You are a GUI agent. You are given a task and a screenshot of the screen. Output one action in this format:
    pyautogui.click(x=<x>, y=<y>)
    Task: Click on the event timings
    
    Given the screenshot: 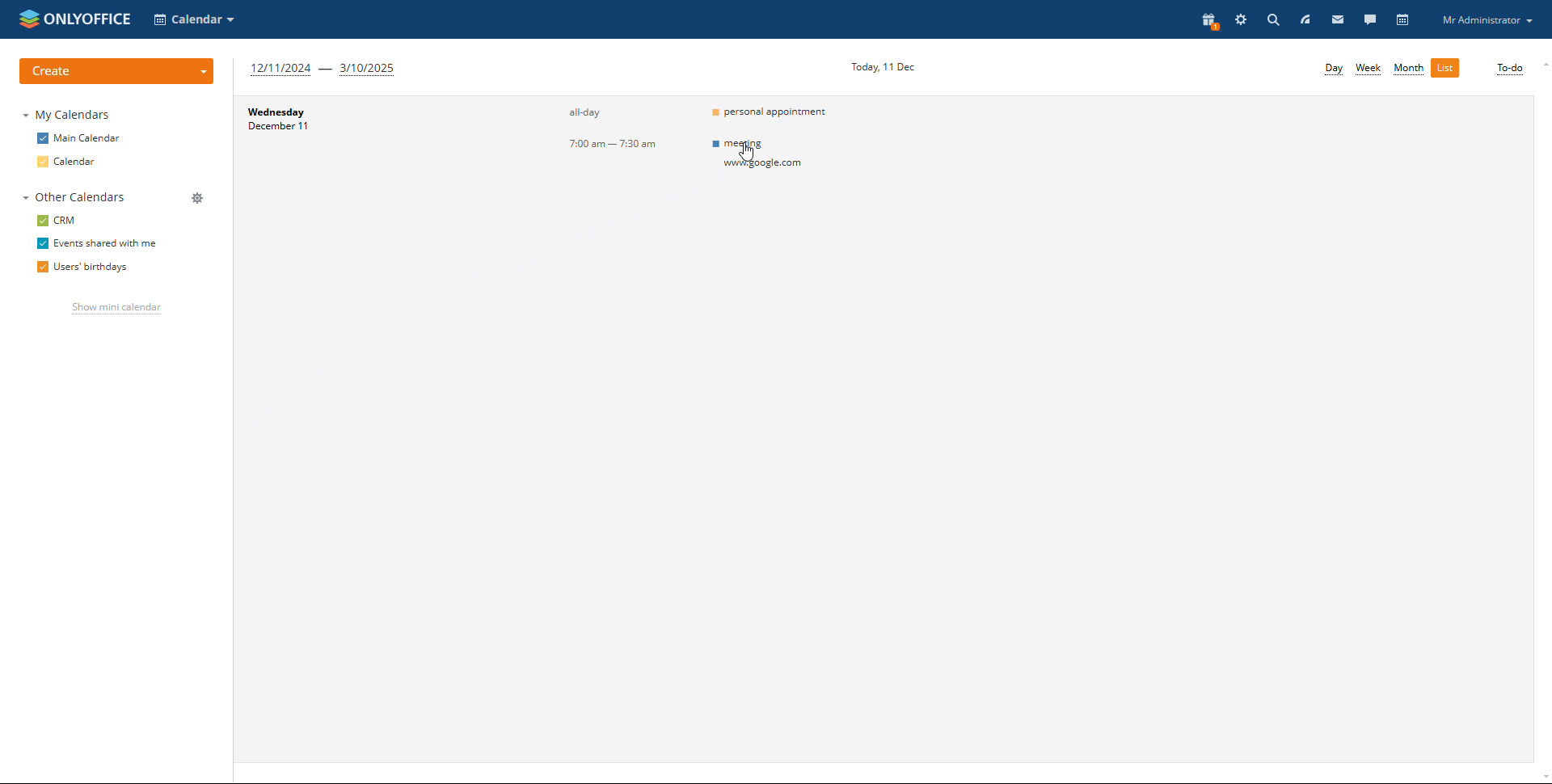 What is the action you would take?
    pyautogui.click(x=610, y=129)
    